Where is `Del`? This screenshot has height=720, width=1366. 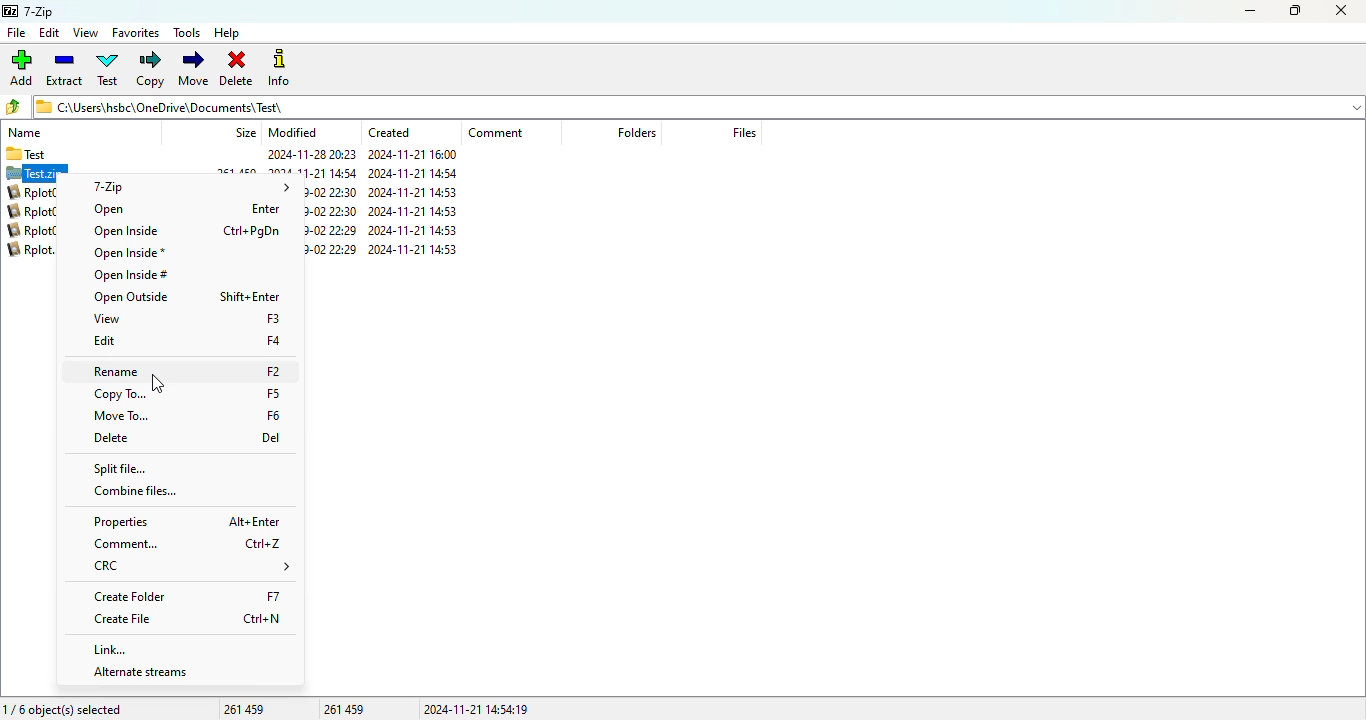 Del is located at coordinates (271, 438).